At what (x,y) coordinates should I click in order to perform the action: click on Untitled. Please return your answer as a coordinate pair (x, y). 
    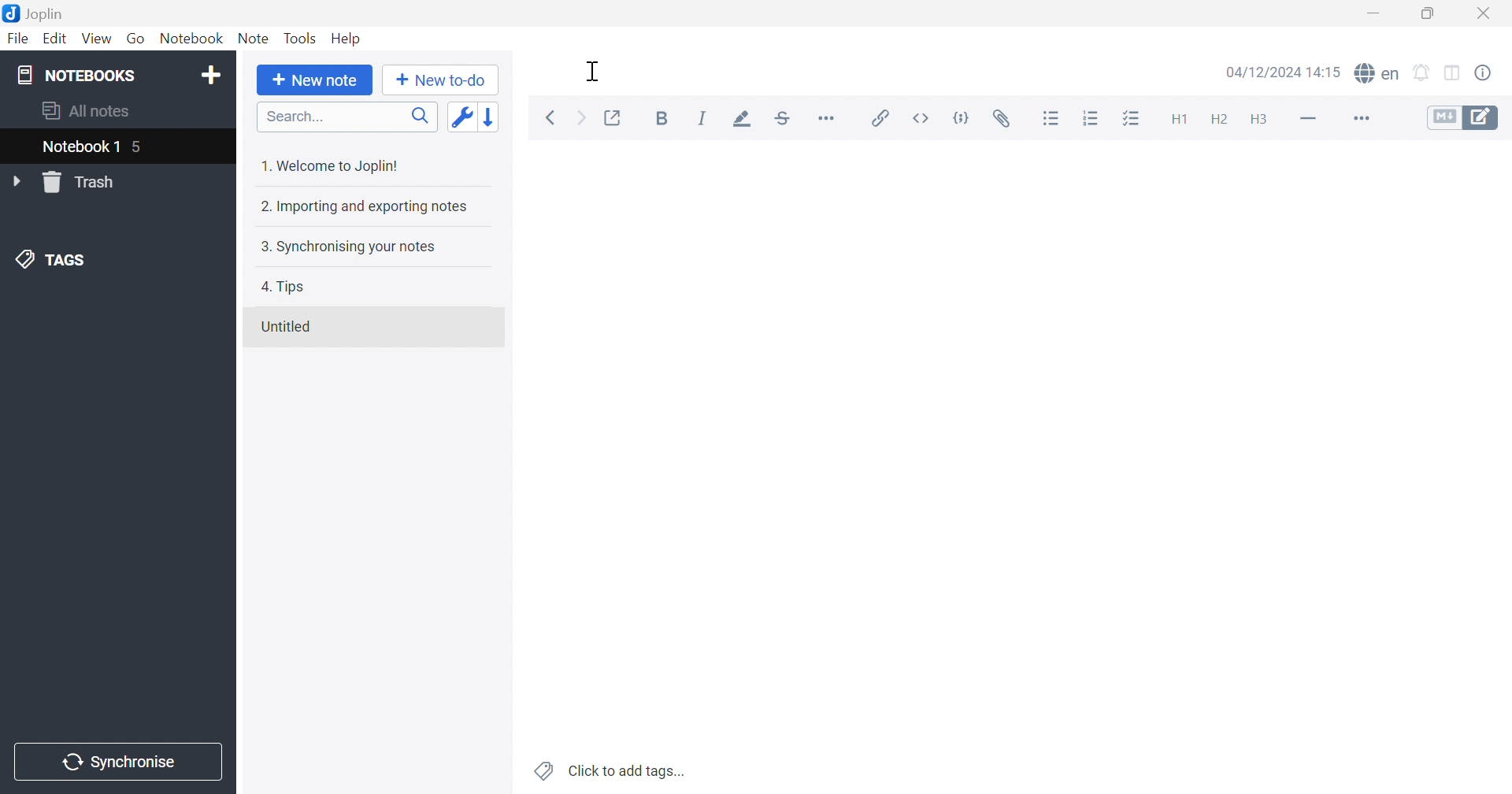
    Looking at the image, I should click on (286, 327).